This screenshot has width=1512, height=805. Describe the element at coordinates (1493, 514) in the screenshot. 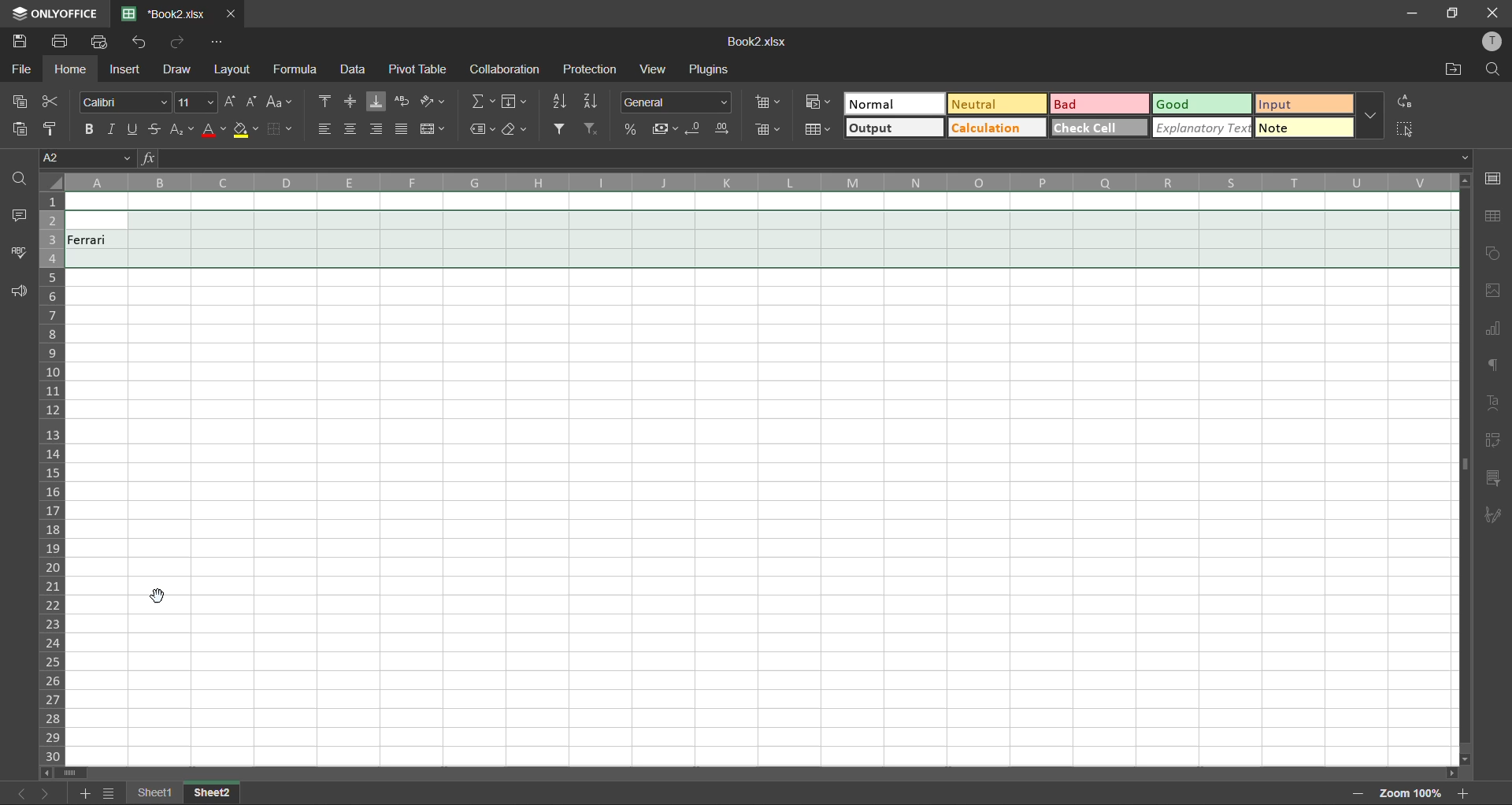

I see `signature` at that location.